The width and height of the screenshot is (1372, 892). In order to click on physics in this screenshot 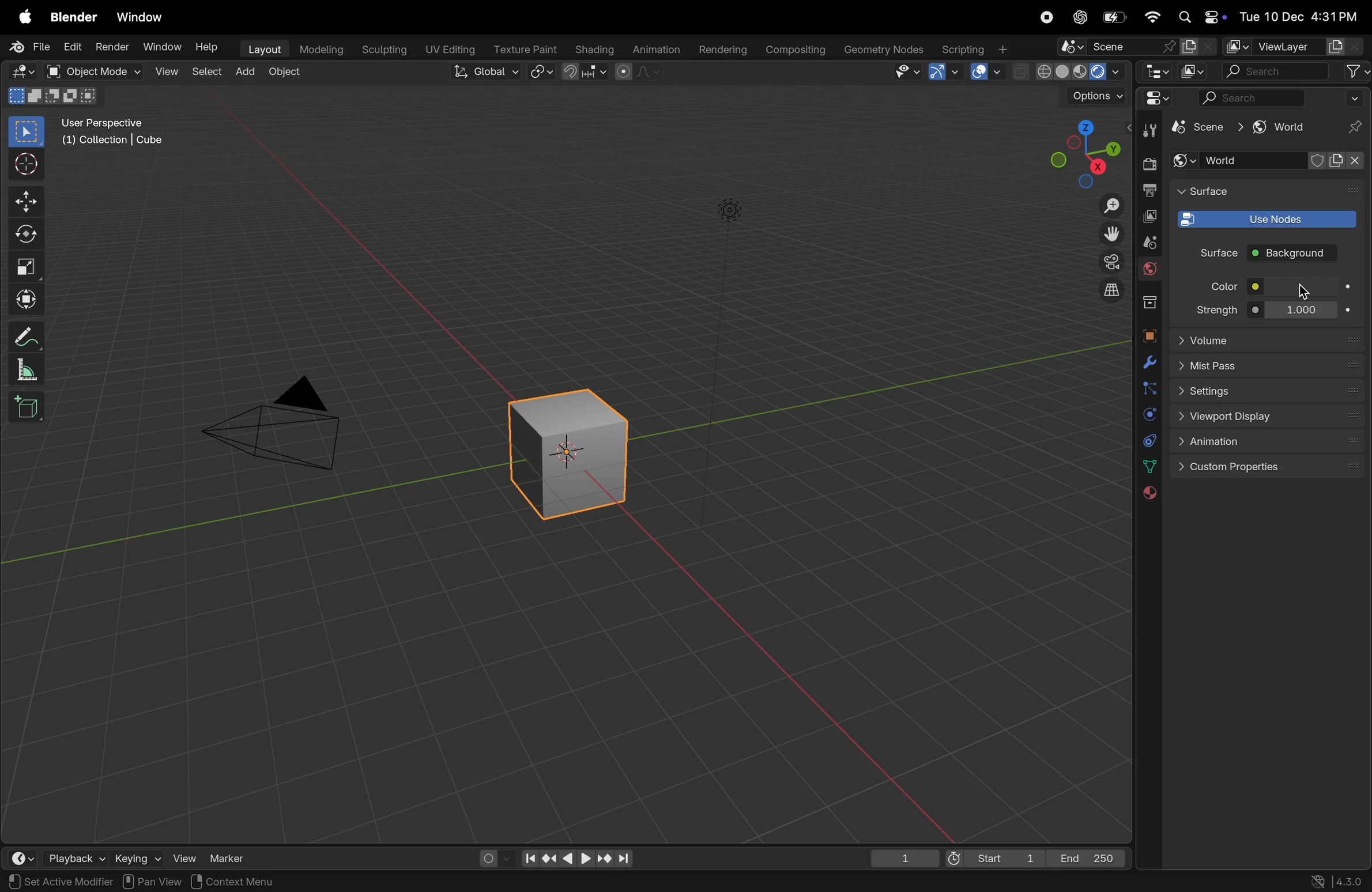, I will do `click(1148, 416)`.